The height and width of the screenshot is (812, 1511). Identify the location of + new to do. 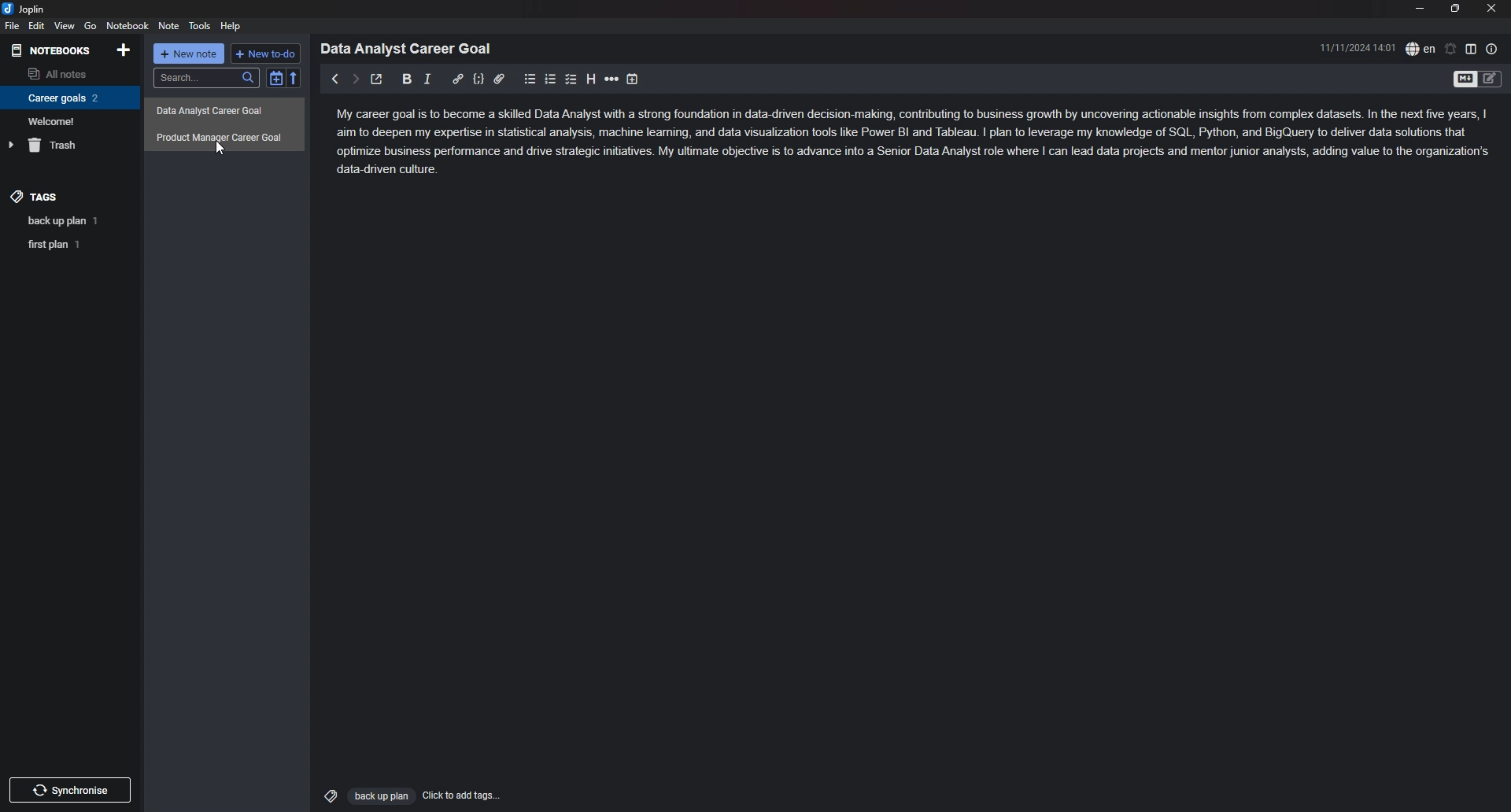
(264, 54).